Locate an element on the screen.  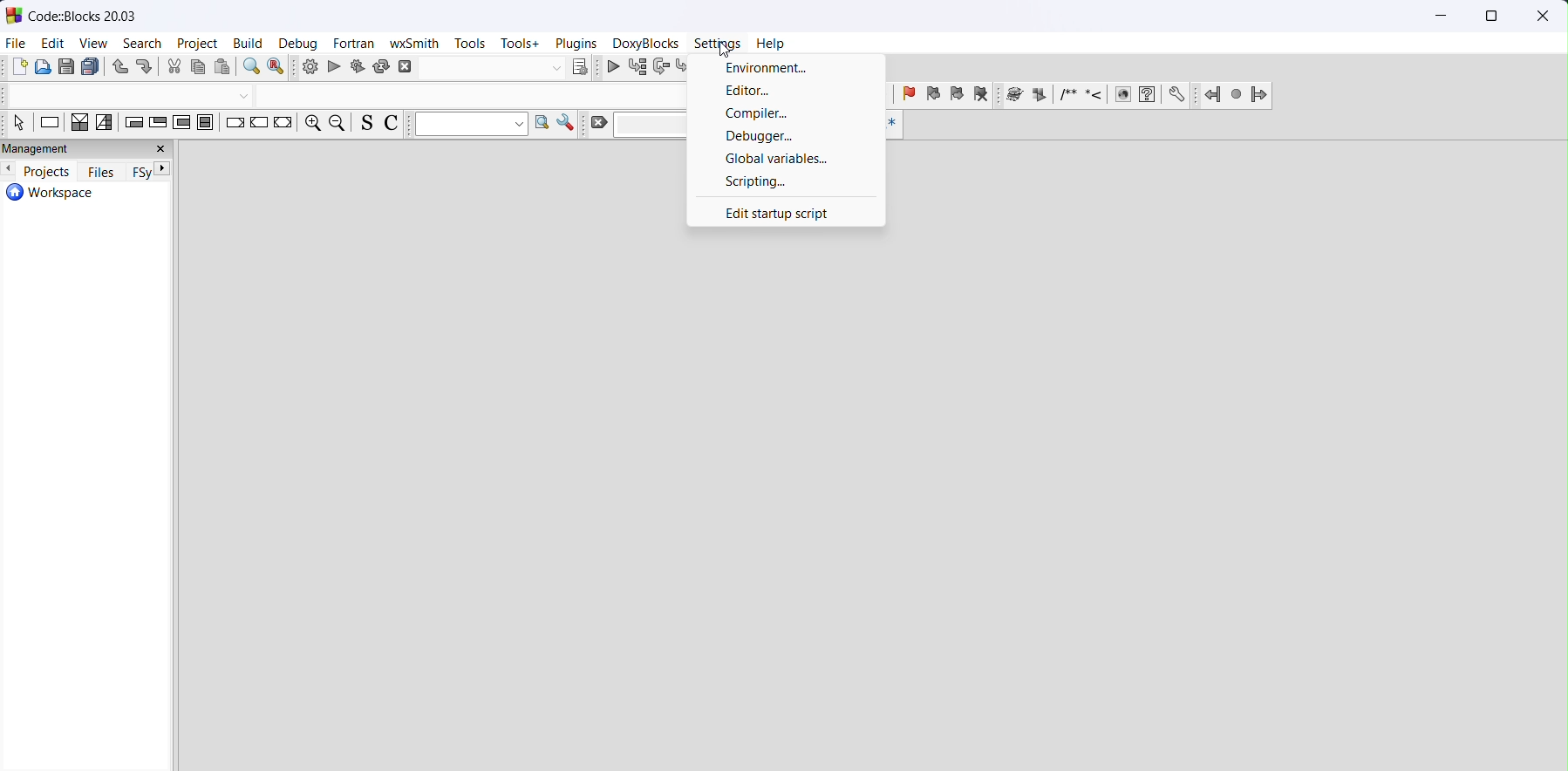
empty conditional loop is located at coordinates (132, 124).